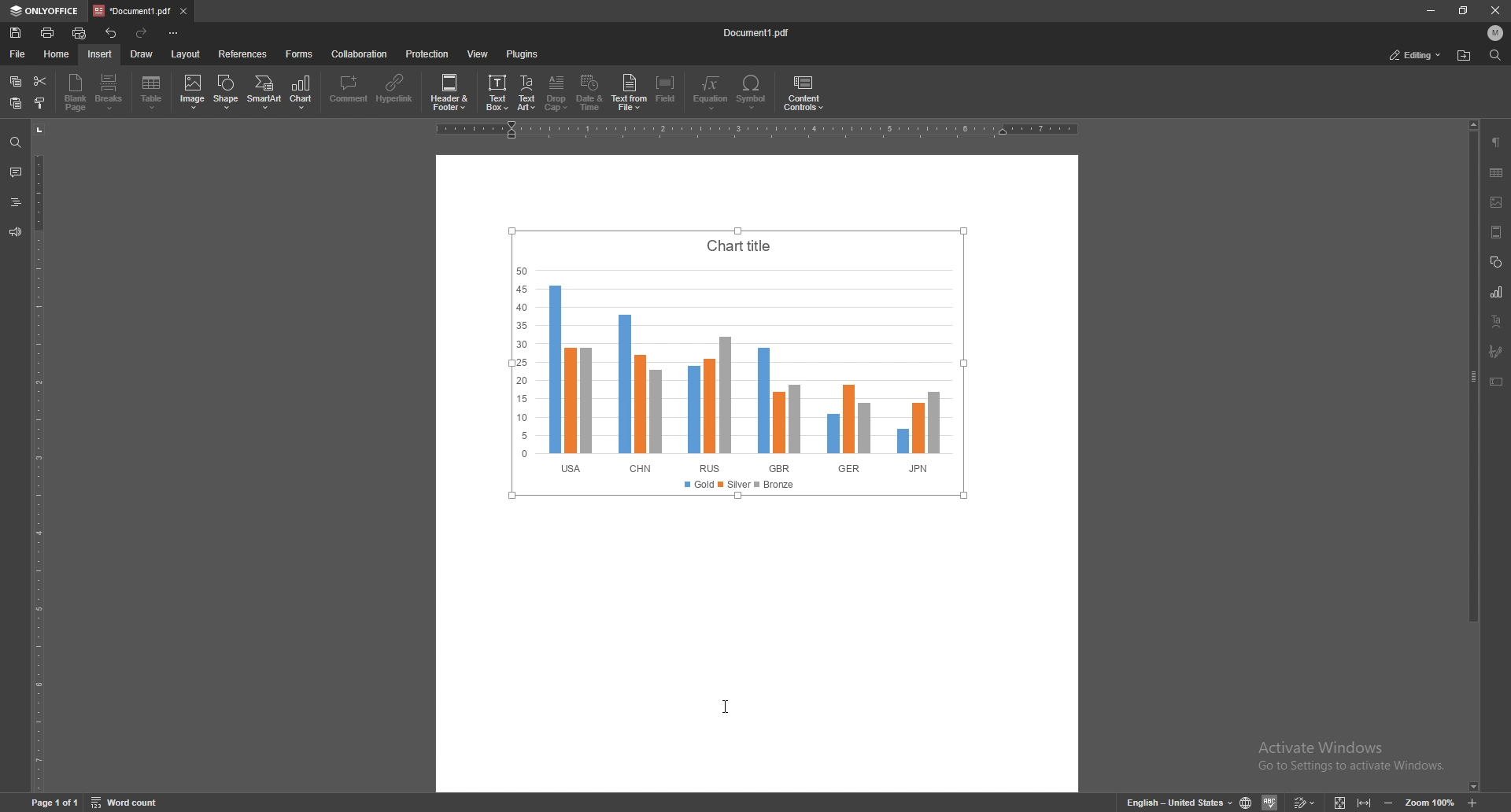 The width and height of the screenshot is (1511, 812). I want to click on chart, so click(301, 91).